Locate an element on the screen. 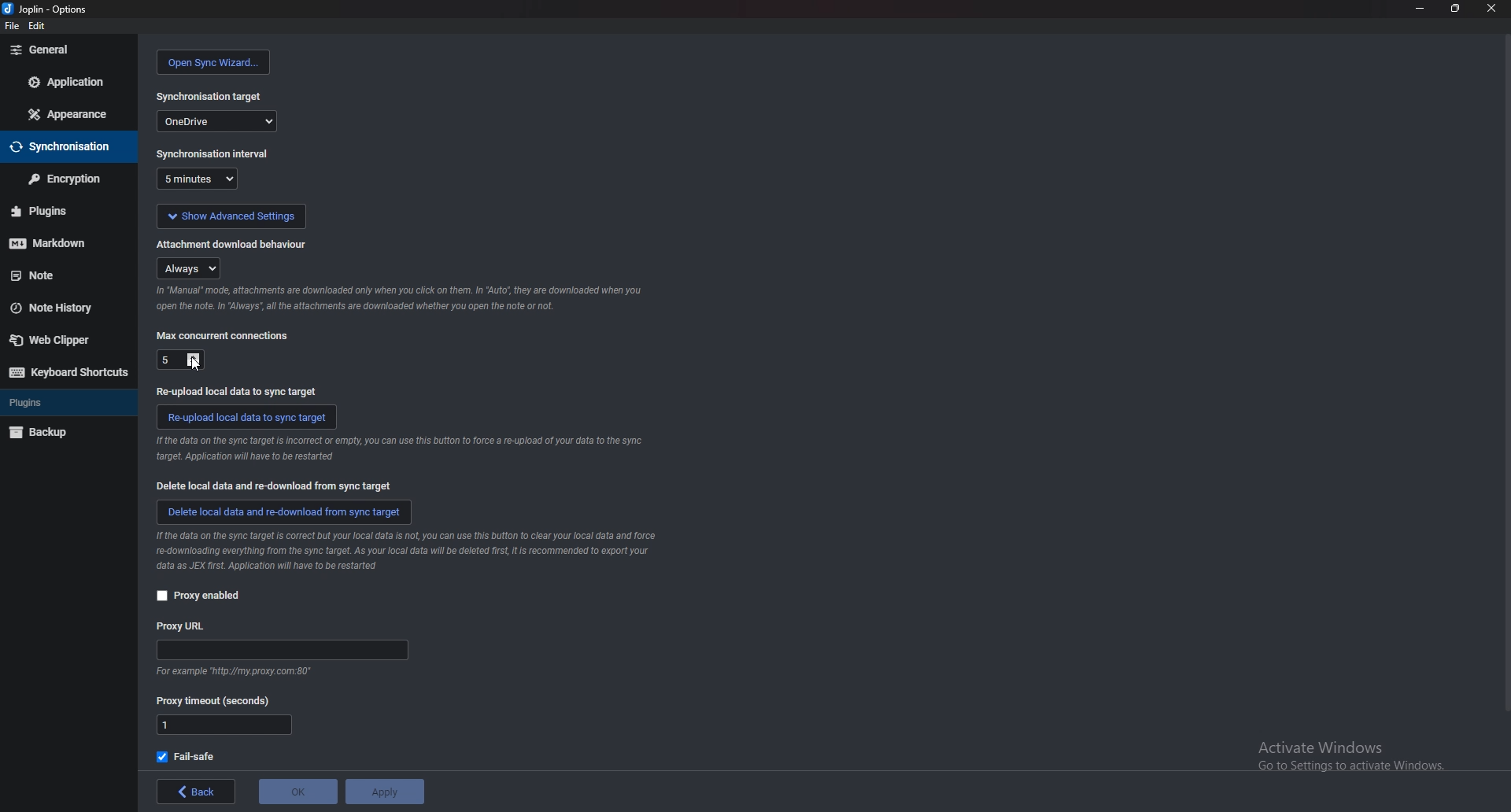 The height and width of the screenshot is (812, 1511). web clipper is located at coordinates (62, 340).